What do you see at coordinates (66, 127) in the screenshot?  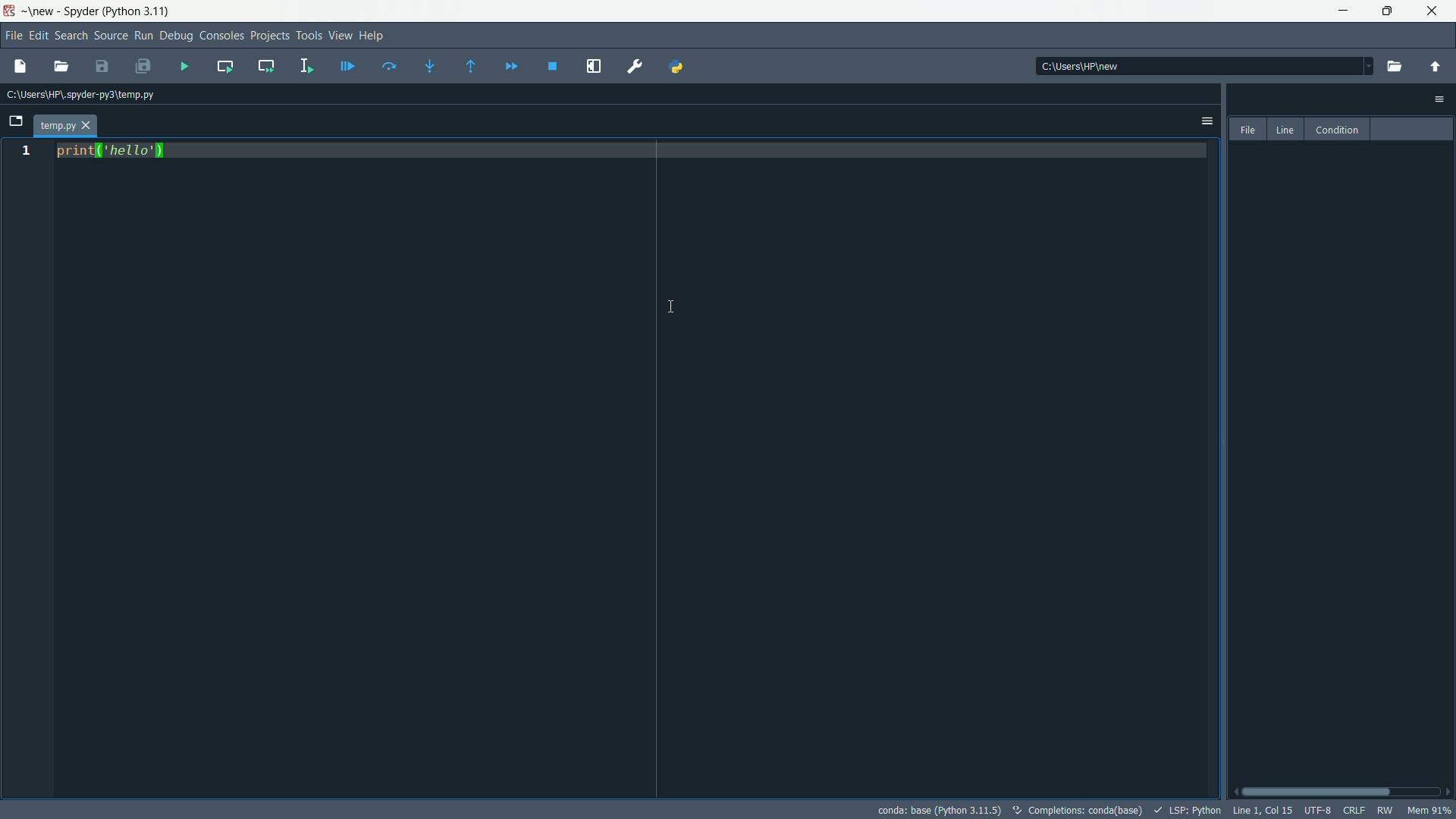 I see `temp.py tab` at bounding box center [66, 127].